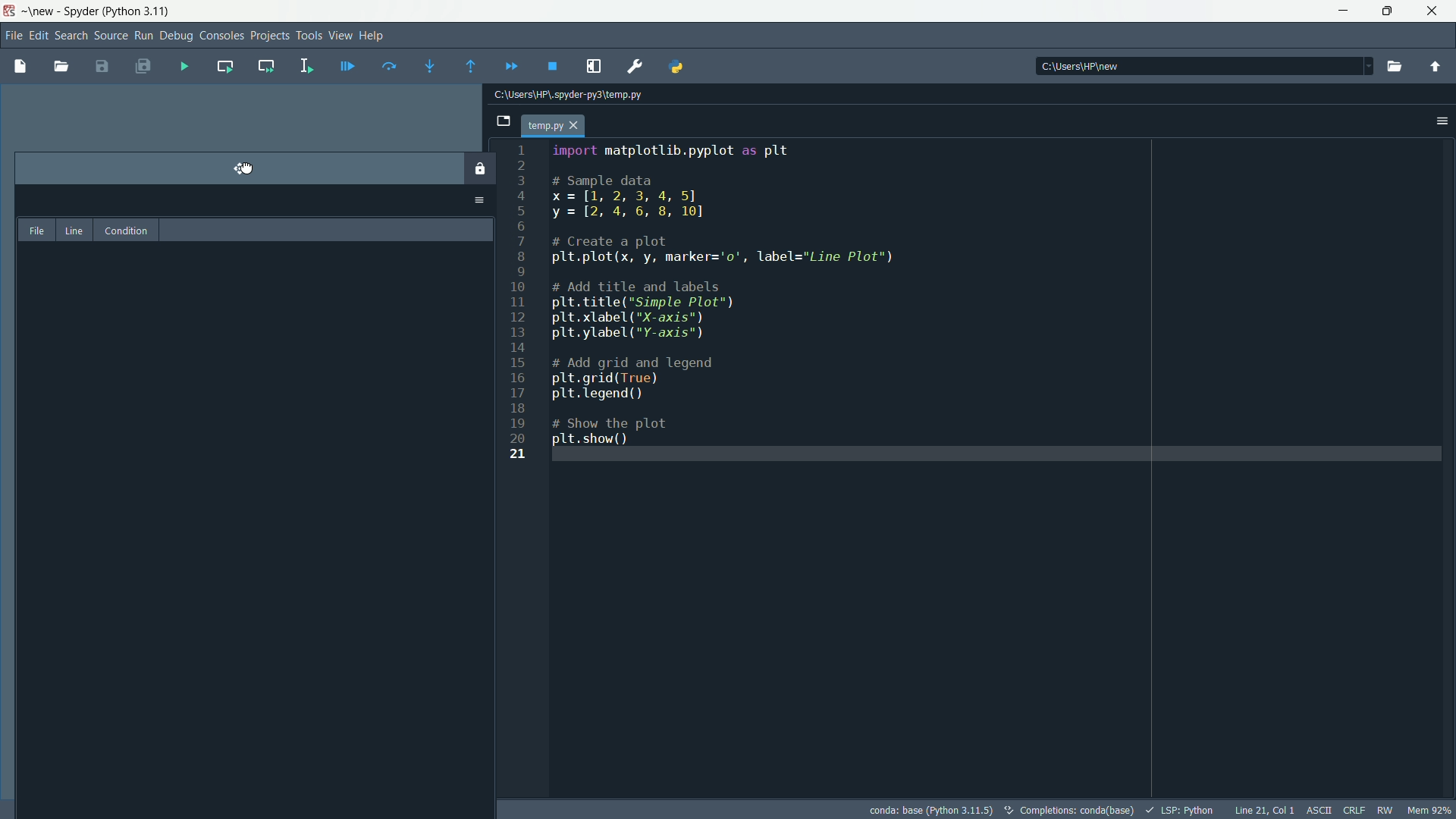 The height and width of the screenshot is (819, 1456). Describe the element at coordinates (596, 66) in the screenshot. I see `maximize current pane` at that location.